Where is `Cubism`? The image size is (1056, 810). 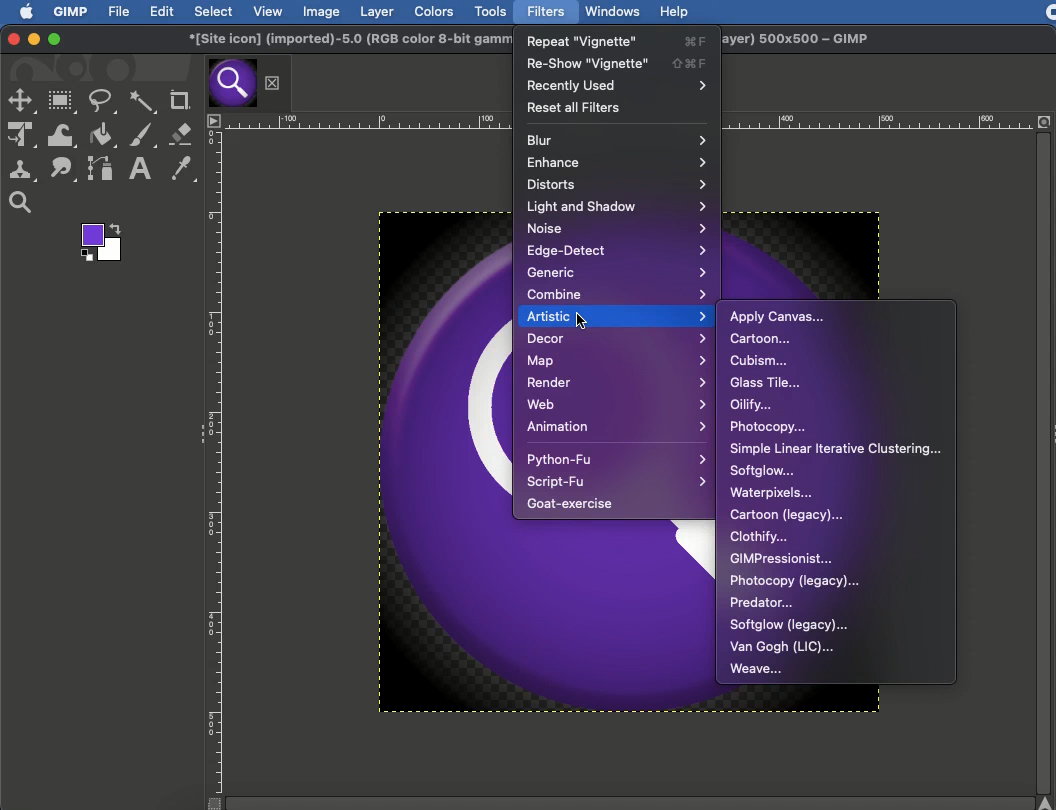 Cubism is located at coordinates (759, 360).